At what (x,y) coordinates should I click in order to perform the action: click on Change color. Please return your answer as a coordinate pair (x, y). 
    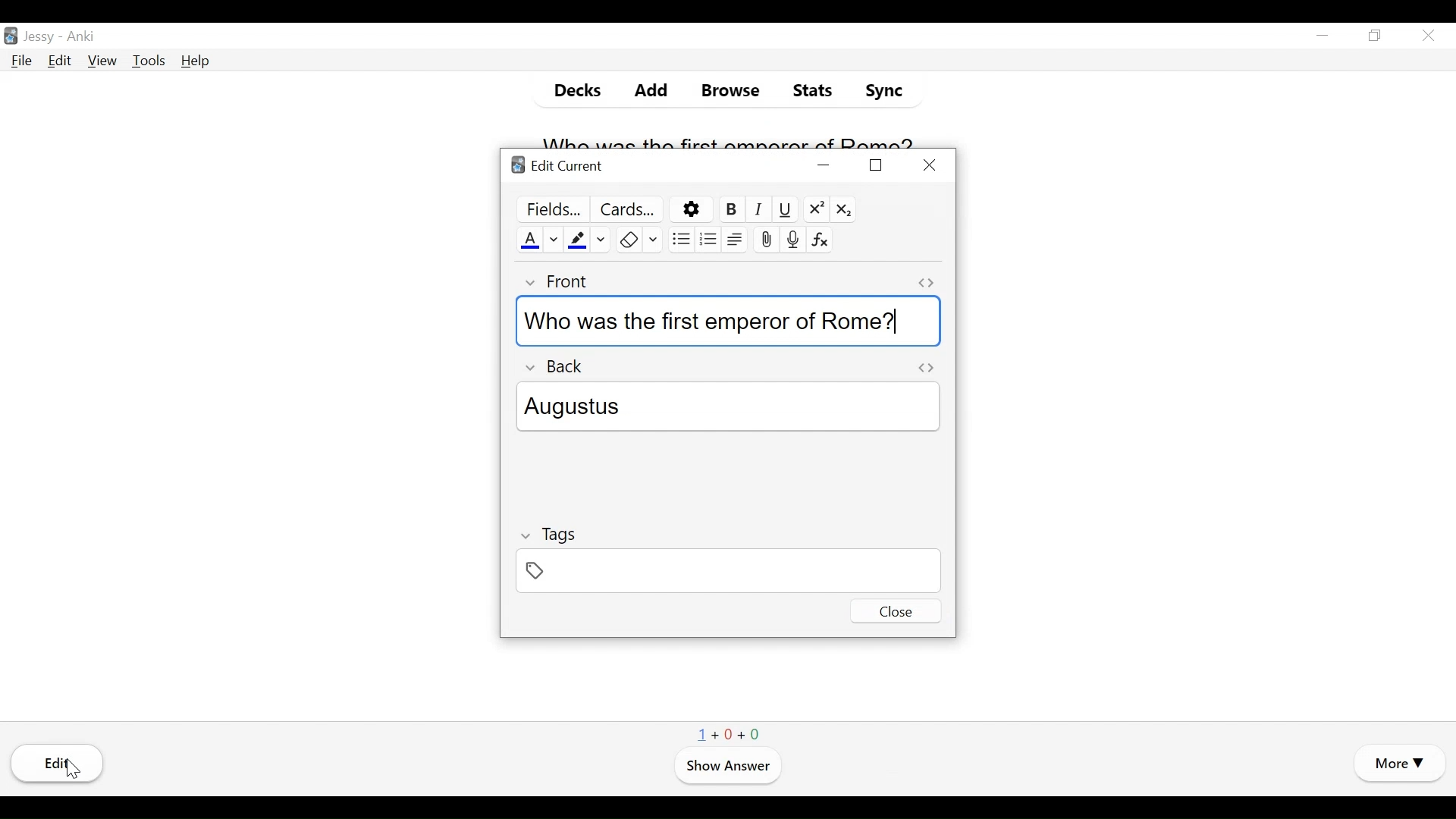
    Looking at the image, I should click on (602, 238).